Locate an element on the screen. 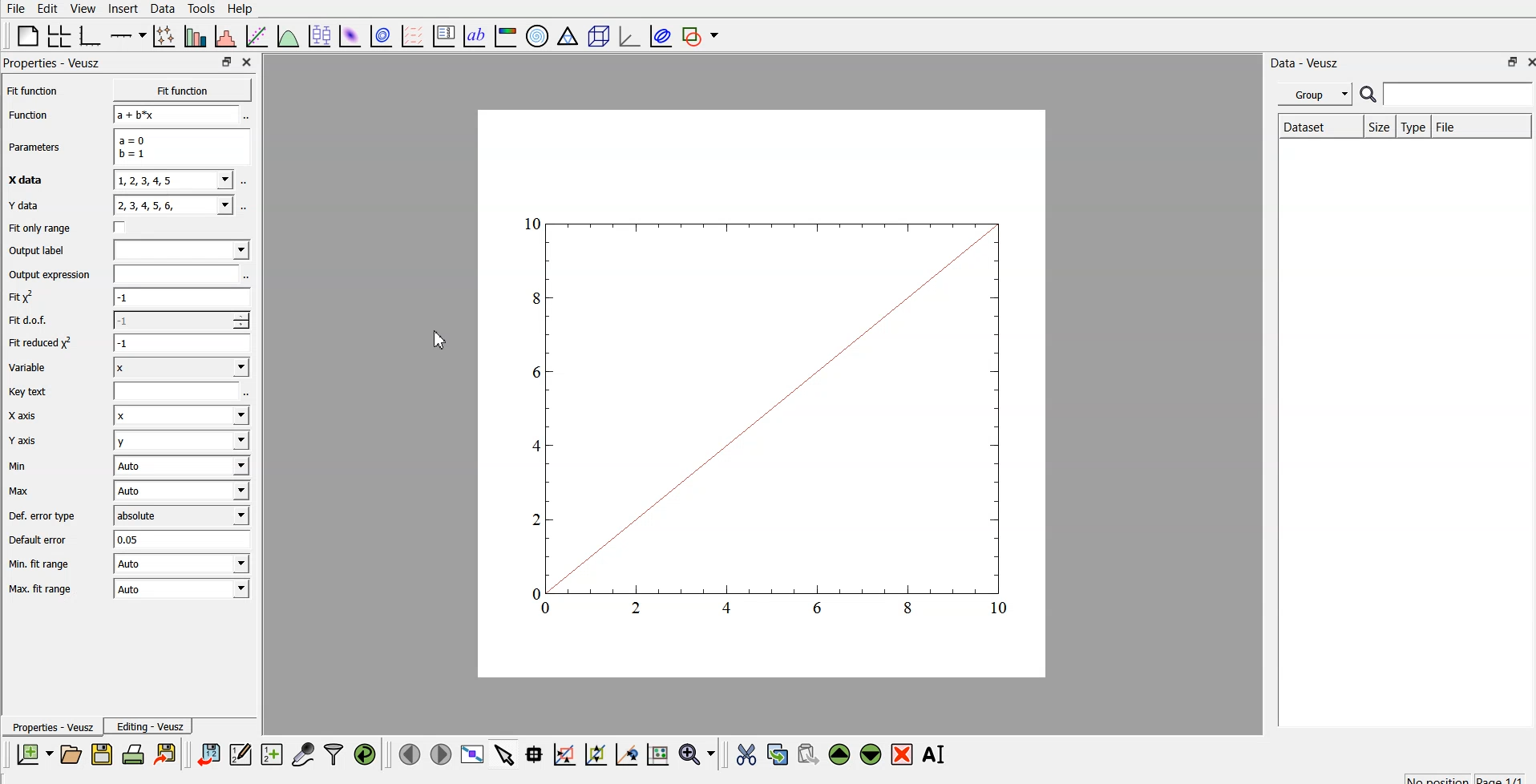  3d scene is located at coordinates (599, 38).